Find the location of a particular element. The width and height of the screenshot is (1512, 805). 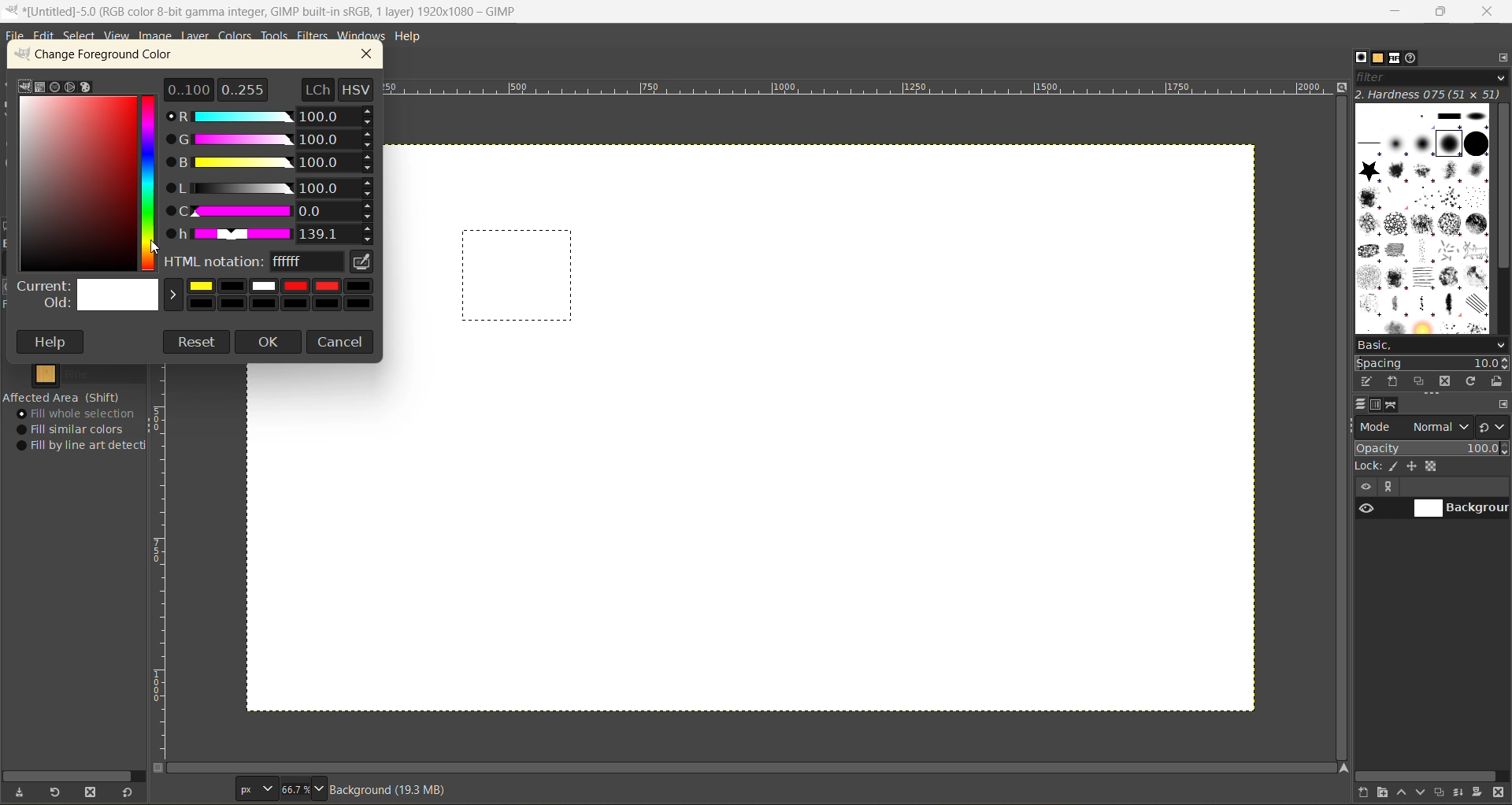

filter is located at coordinates (1432, 80).